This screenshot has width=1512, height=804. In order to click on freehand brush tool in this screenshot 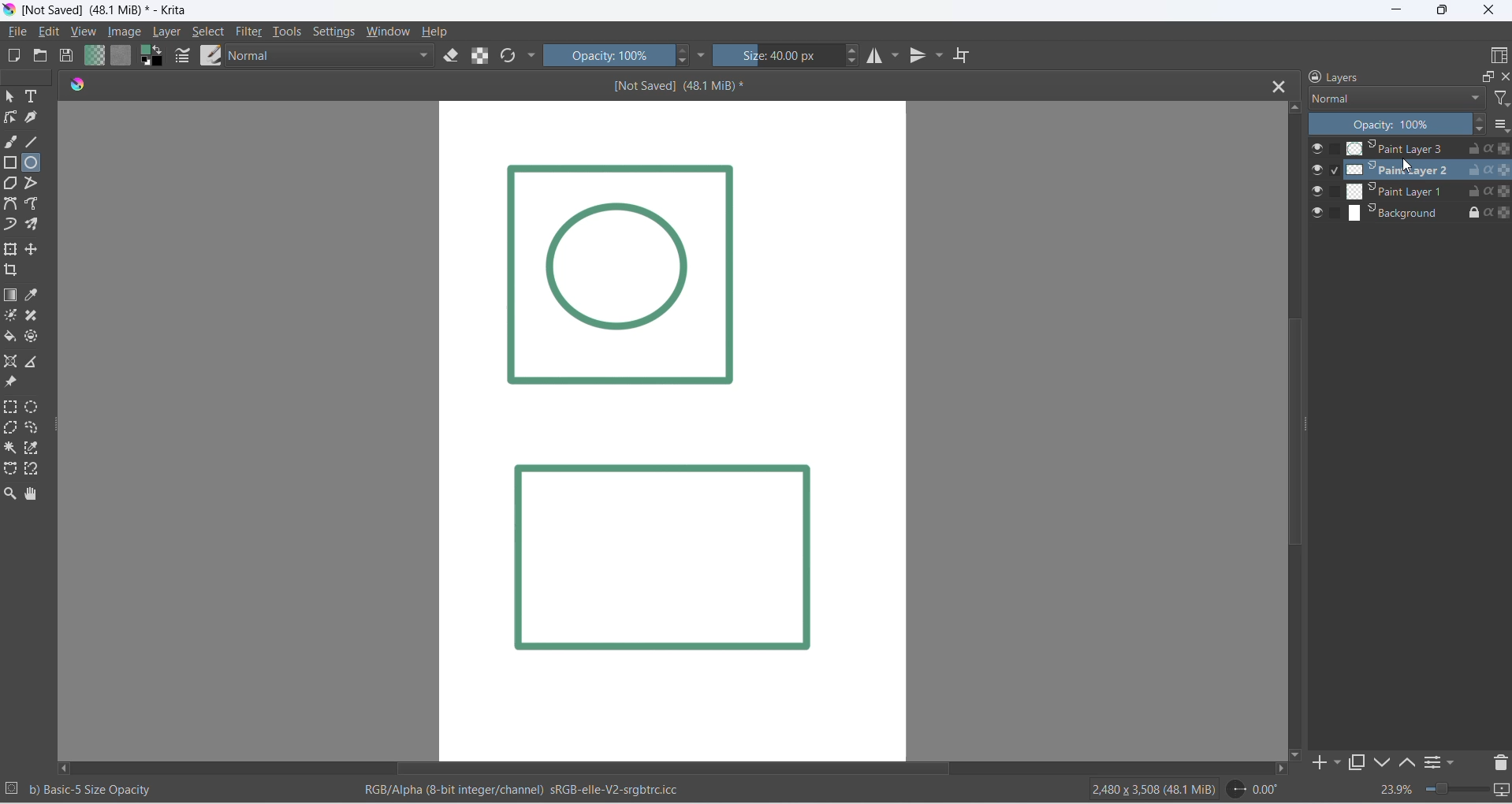, I will do `click(11, 143)`.